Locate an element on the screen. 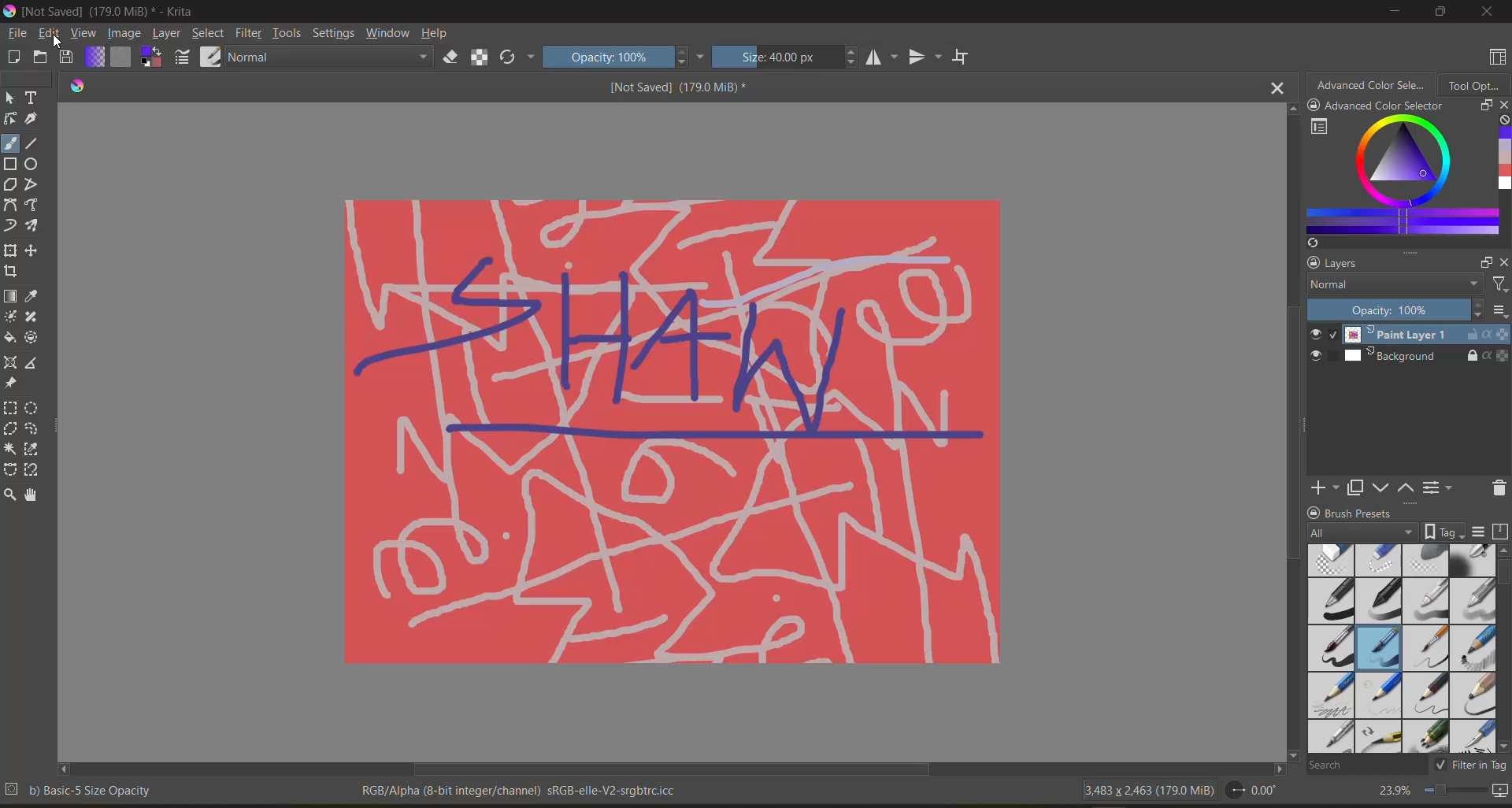 The width and height of the screenshot is (1512, 808). calligraphy is located at coordinates (32, 118).